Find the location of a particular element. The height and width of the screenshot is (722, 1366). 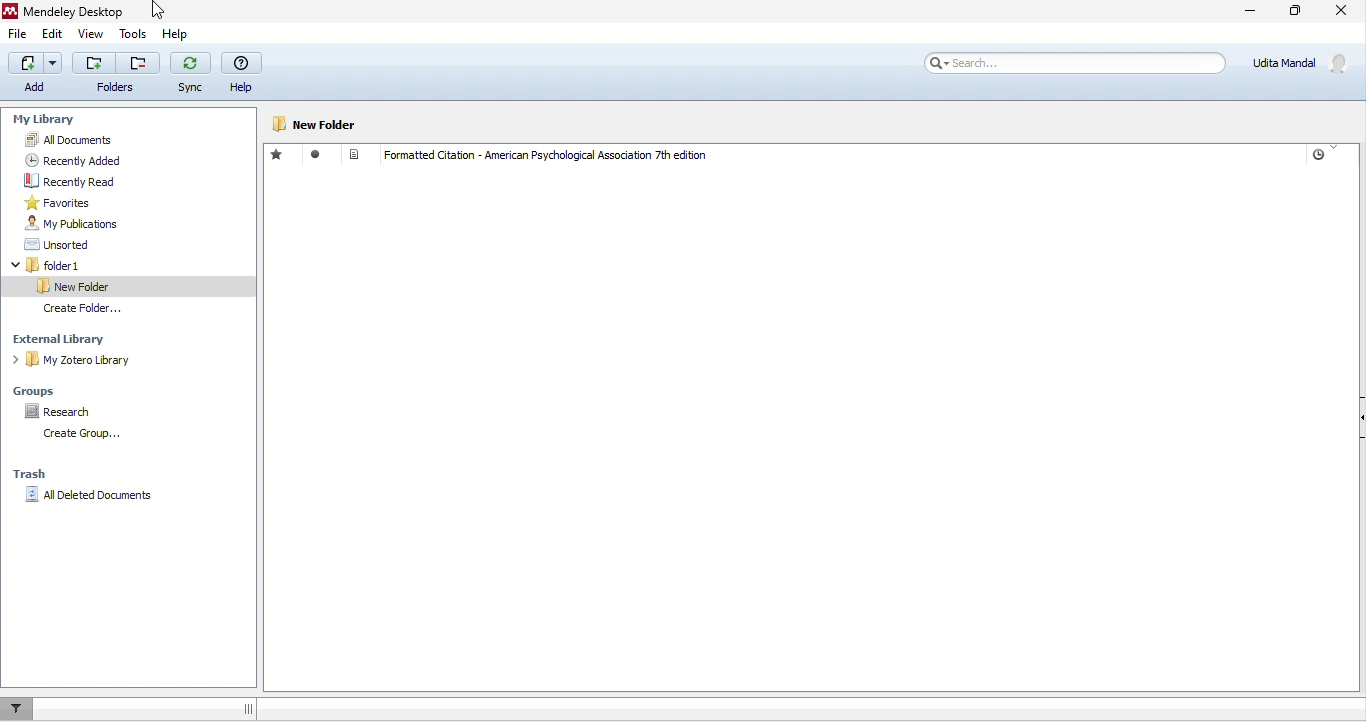

create group is located at coordinates (84, 434).